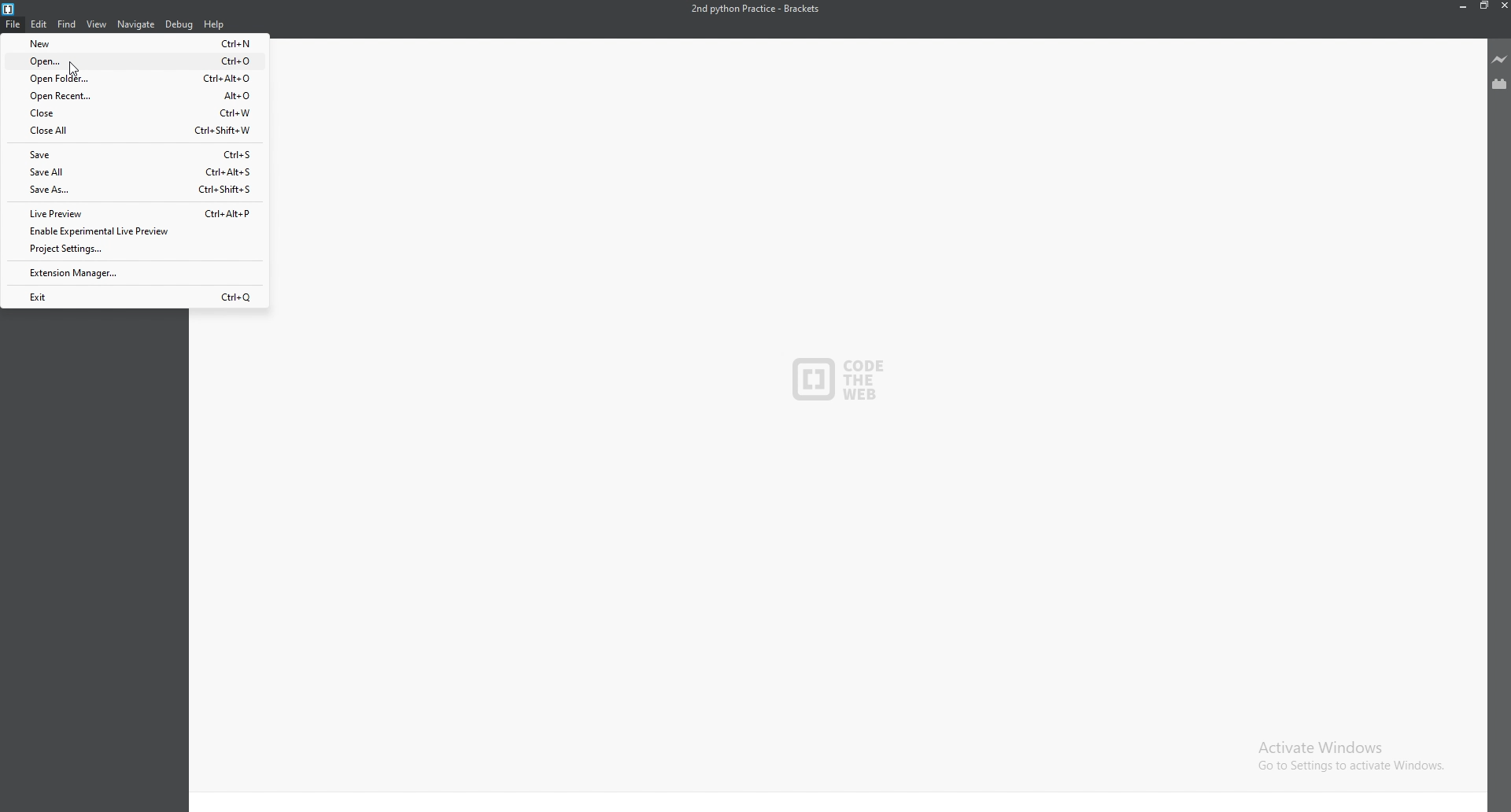 The width and height of the screenshot is (1511, 812). What do you see at coordinates (1498, 85) in the screenshot?
I see `extension viewer` at bounding box center [1498, 85].